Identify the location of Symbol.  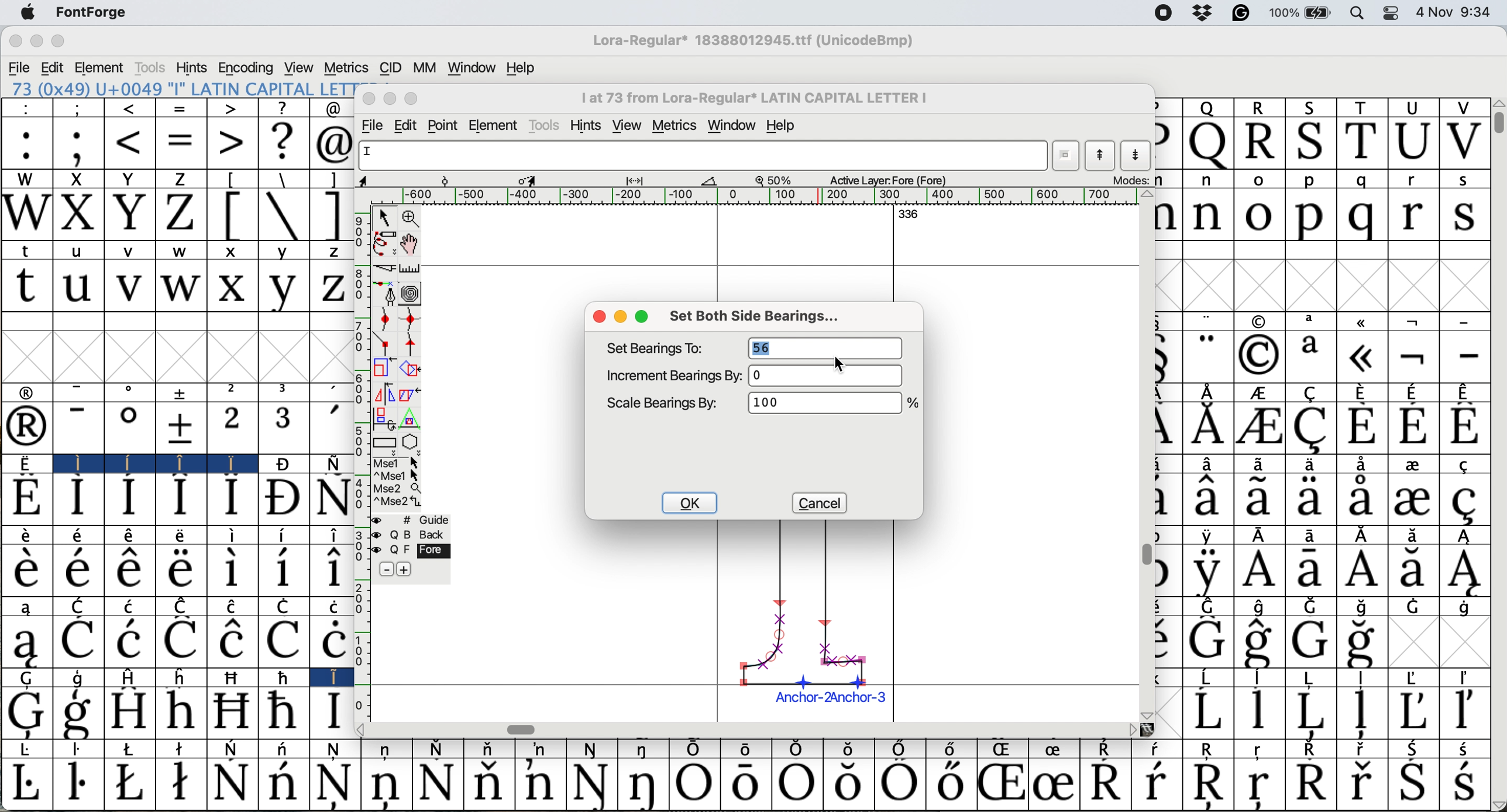
(23, 713).